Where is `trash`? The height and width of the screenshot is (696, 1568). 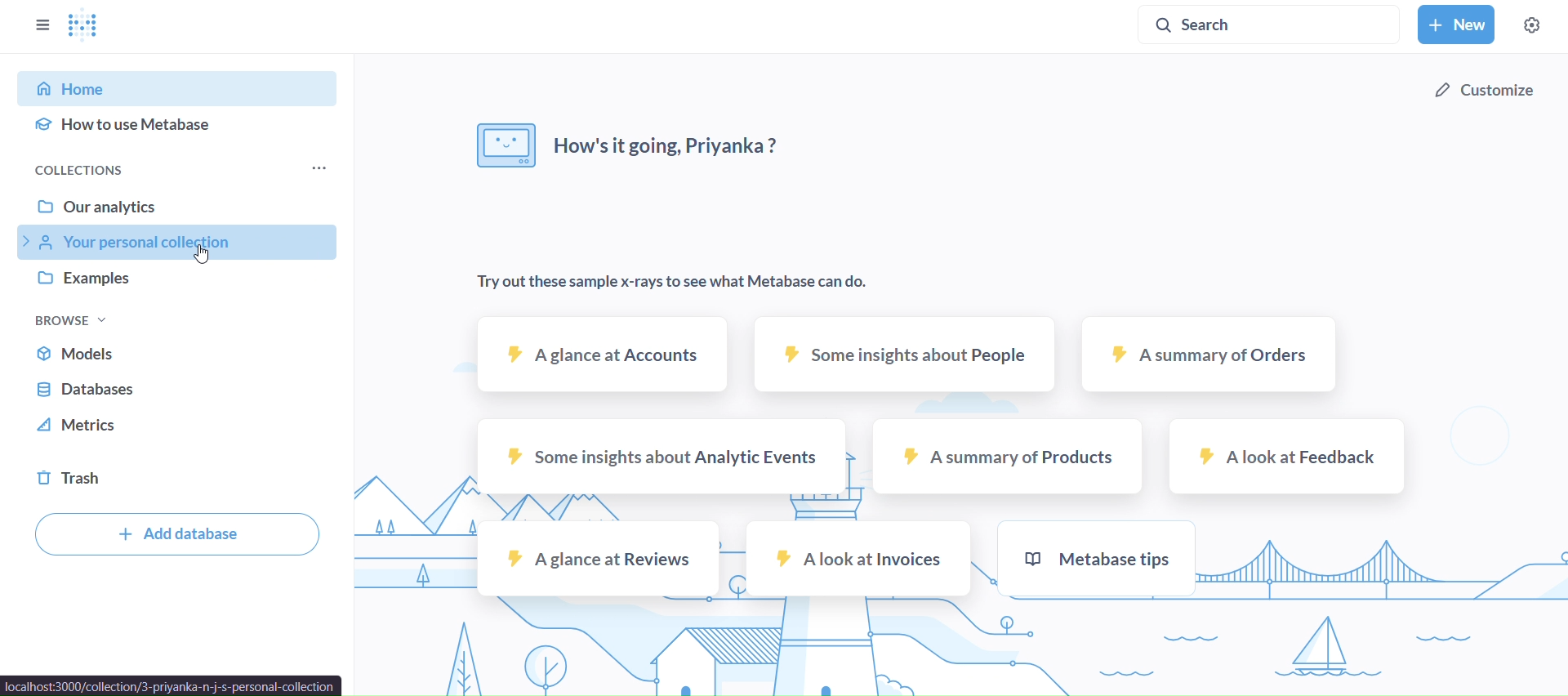
trash is located at coordinates (177, 477).